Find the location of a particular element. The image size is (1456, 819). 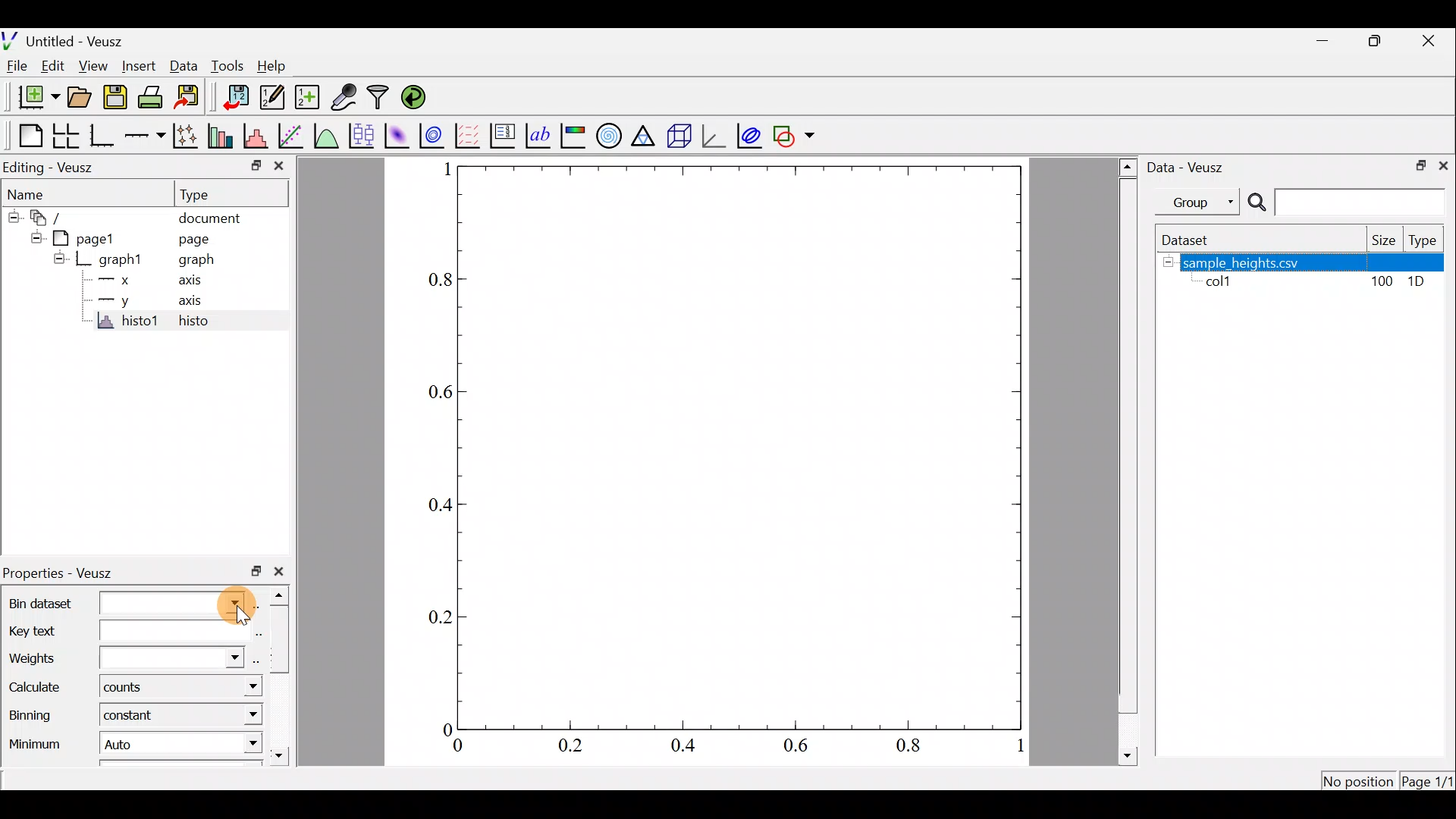

Binning is located at coordinates (36, 712).